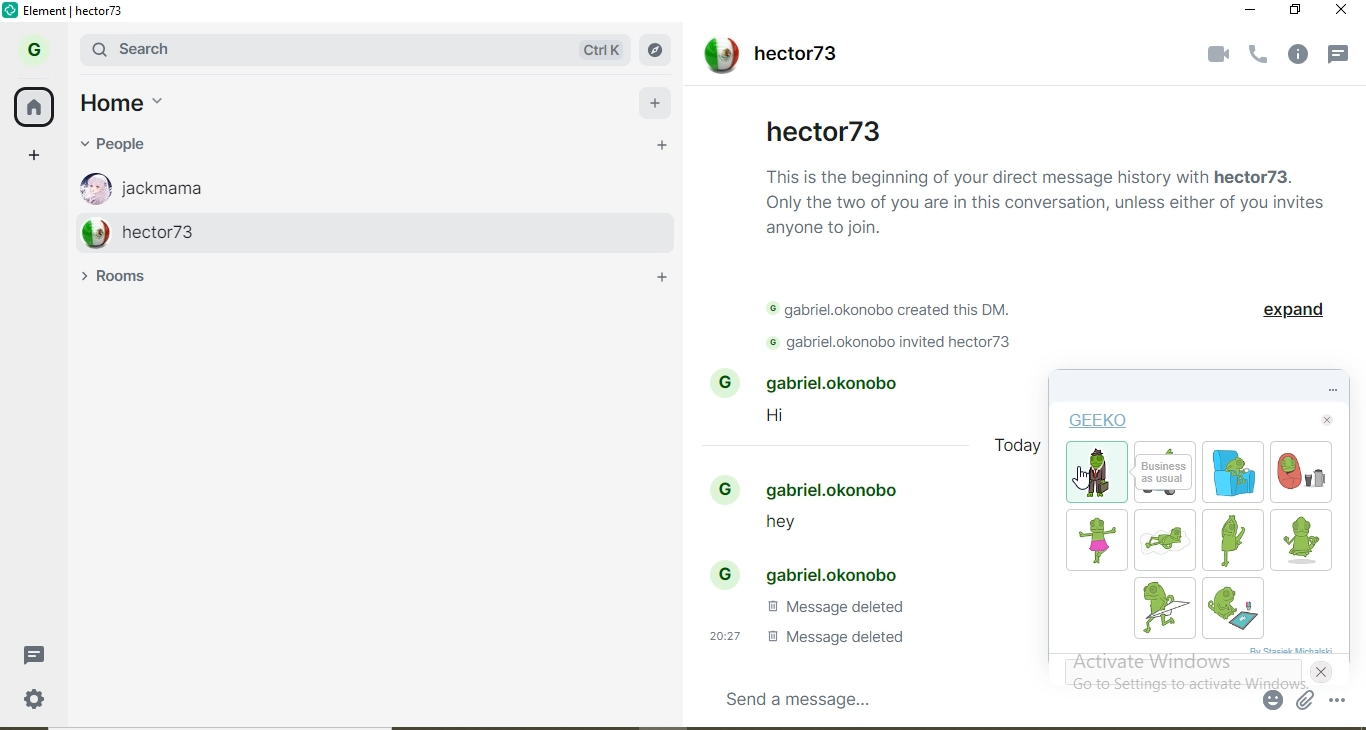 This screenshot has height=730, width=1366. I want to click on add, so click(657, 99).